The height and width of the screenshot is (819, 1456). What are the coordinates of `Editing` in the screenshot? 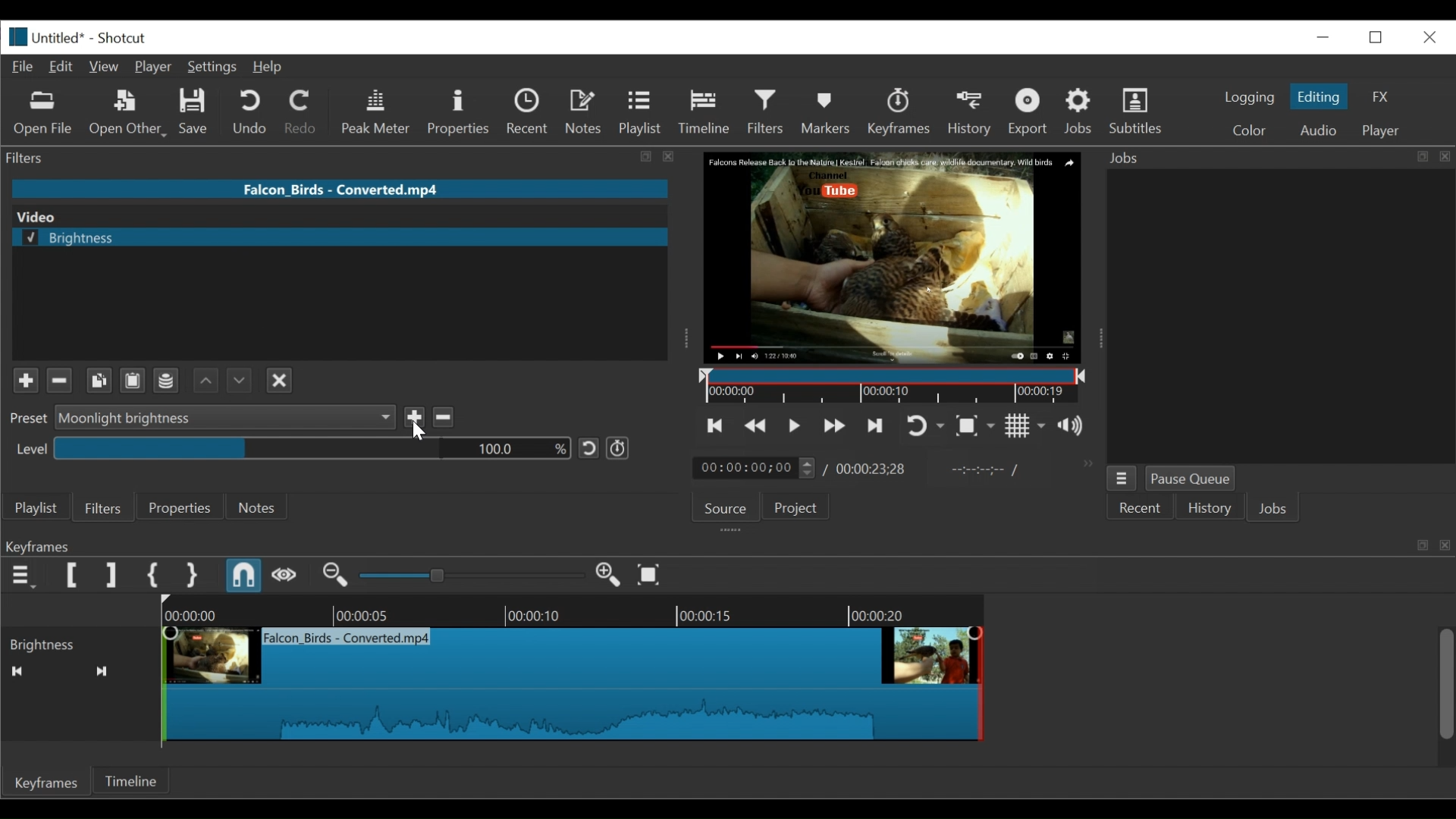 It's located at (1320, 96).